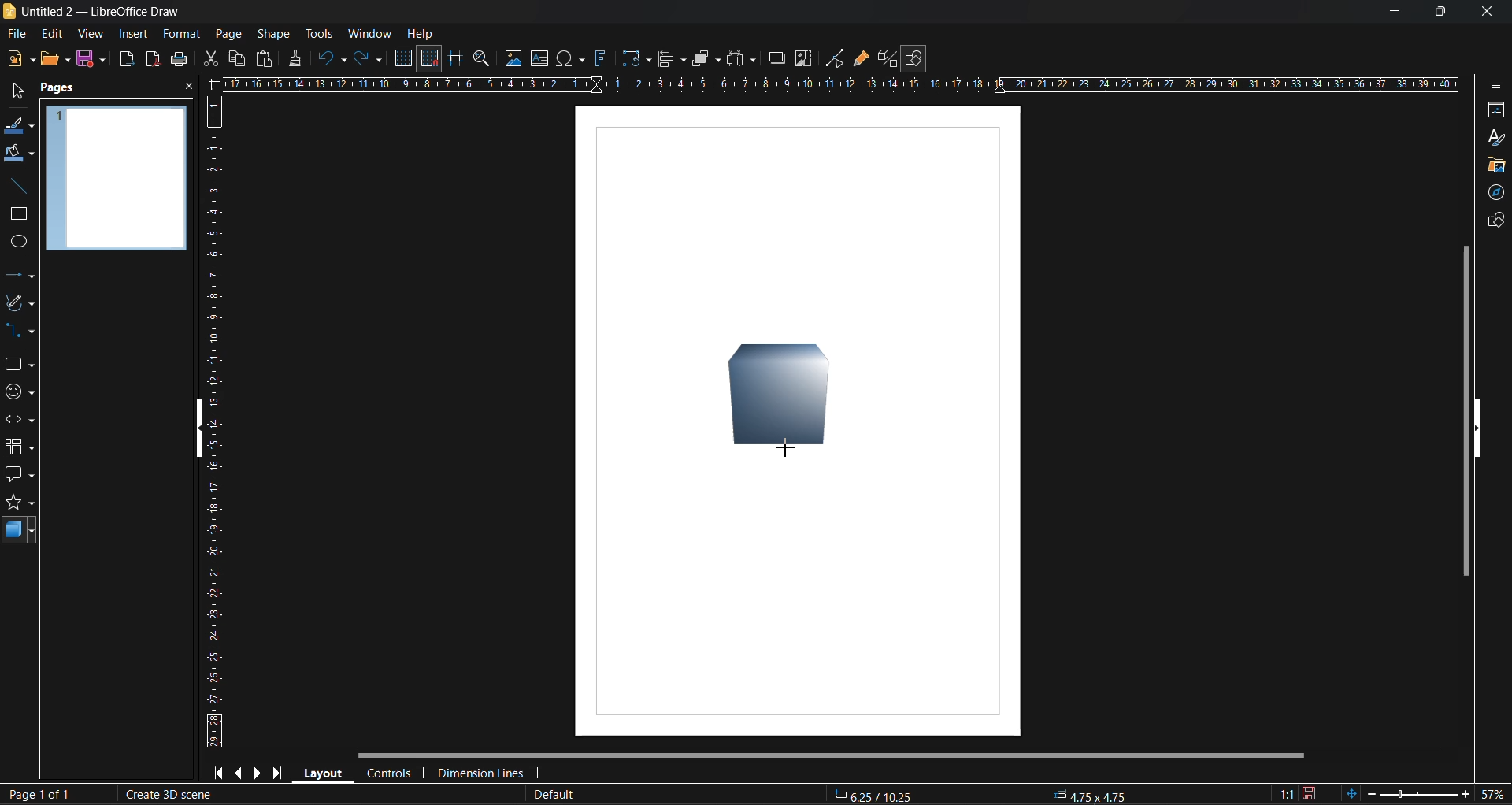 The image size is (1512, 805). I want to click on slide master name, so click(555, 795).